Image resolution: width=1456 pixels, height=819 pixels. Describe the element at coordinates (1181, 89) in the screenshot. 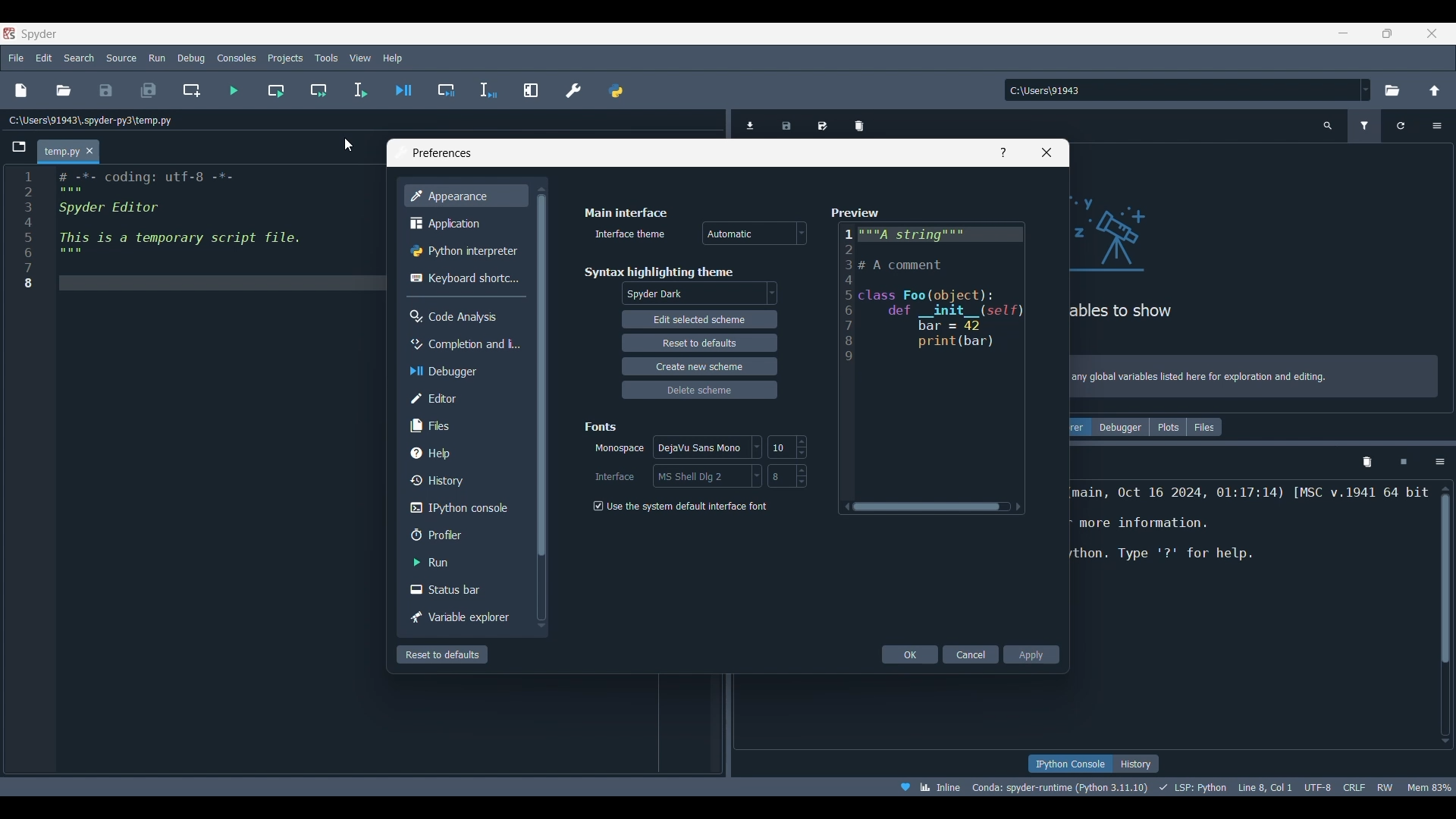

I see `Input location` at that location.